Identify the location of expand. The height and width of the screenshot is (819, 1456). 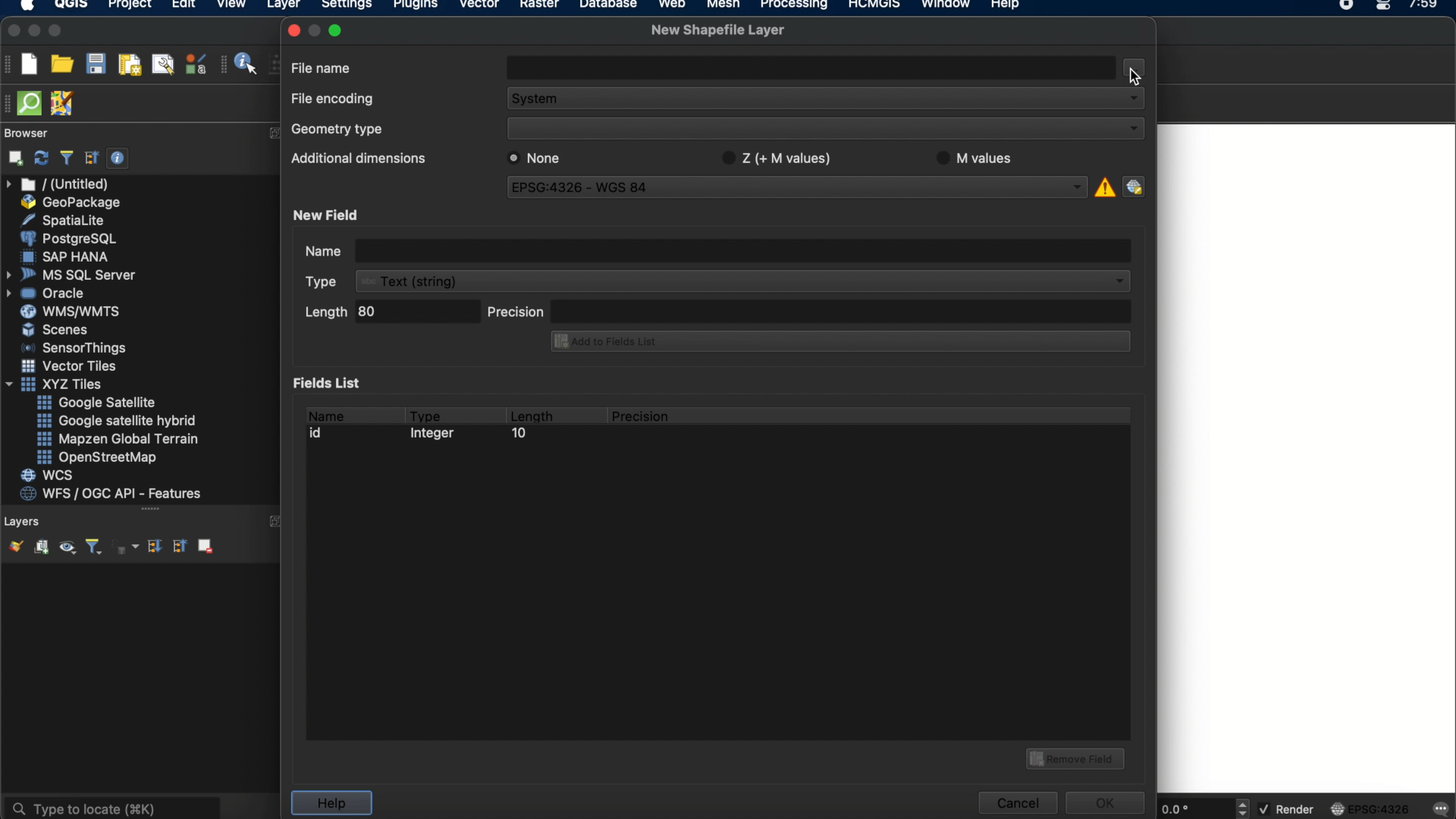
(274, 522).